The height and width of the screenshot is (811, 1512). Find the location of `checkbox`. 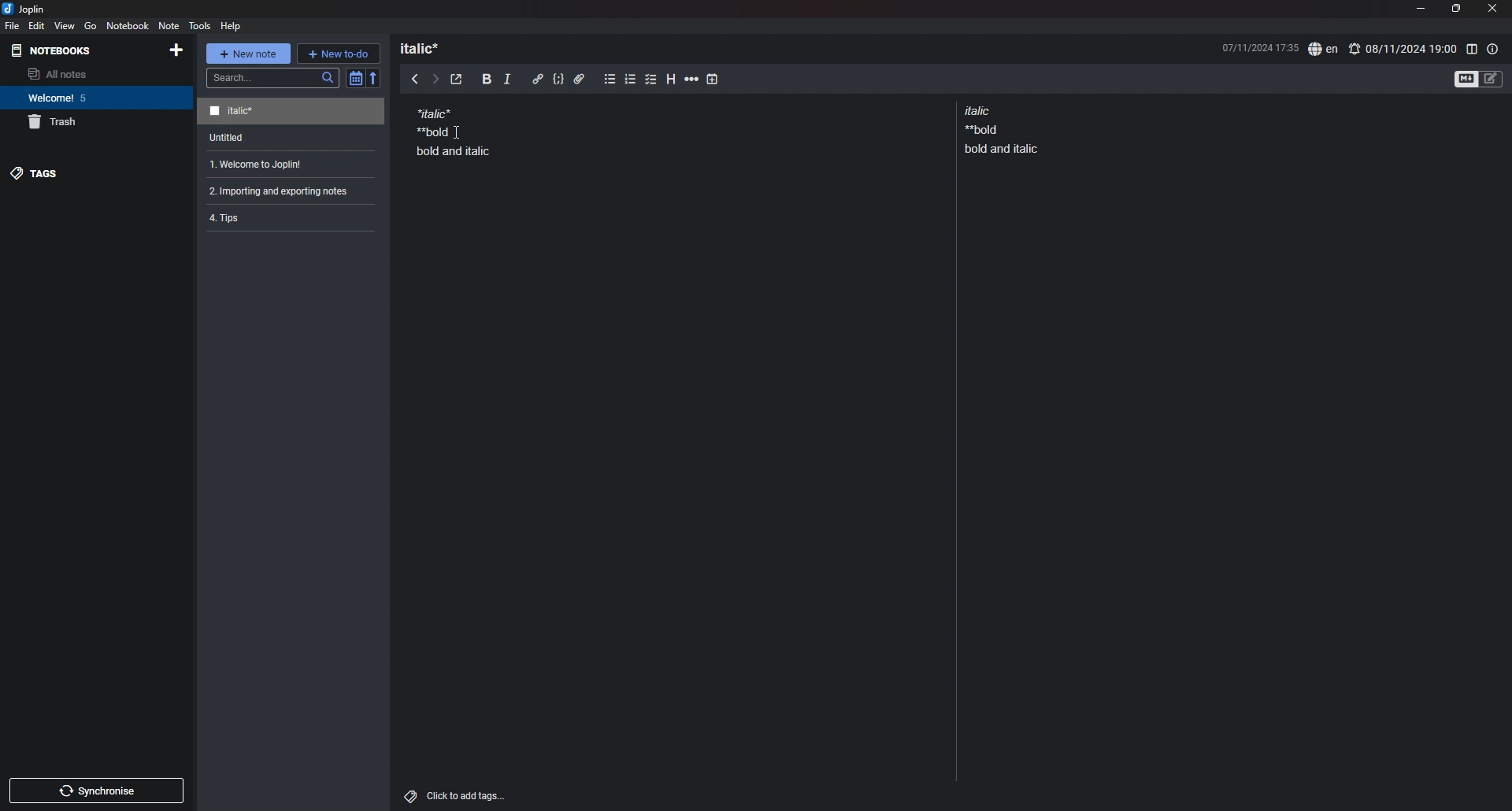

checkbox is located at coordinates (651, 80).